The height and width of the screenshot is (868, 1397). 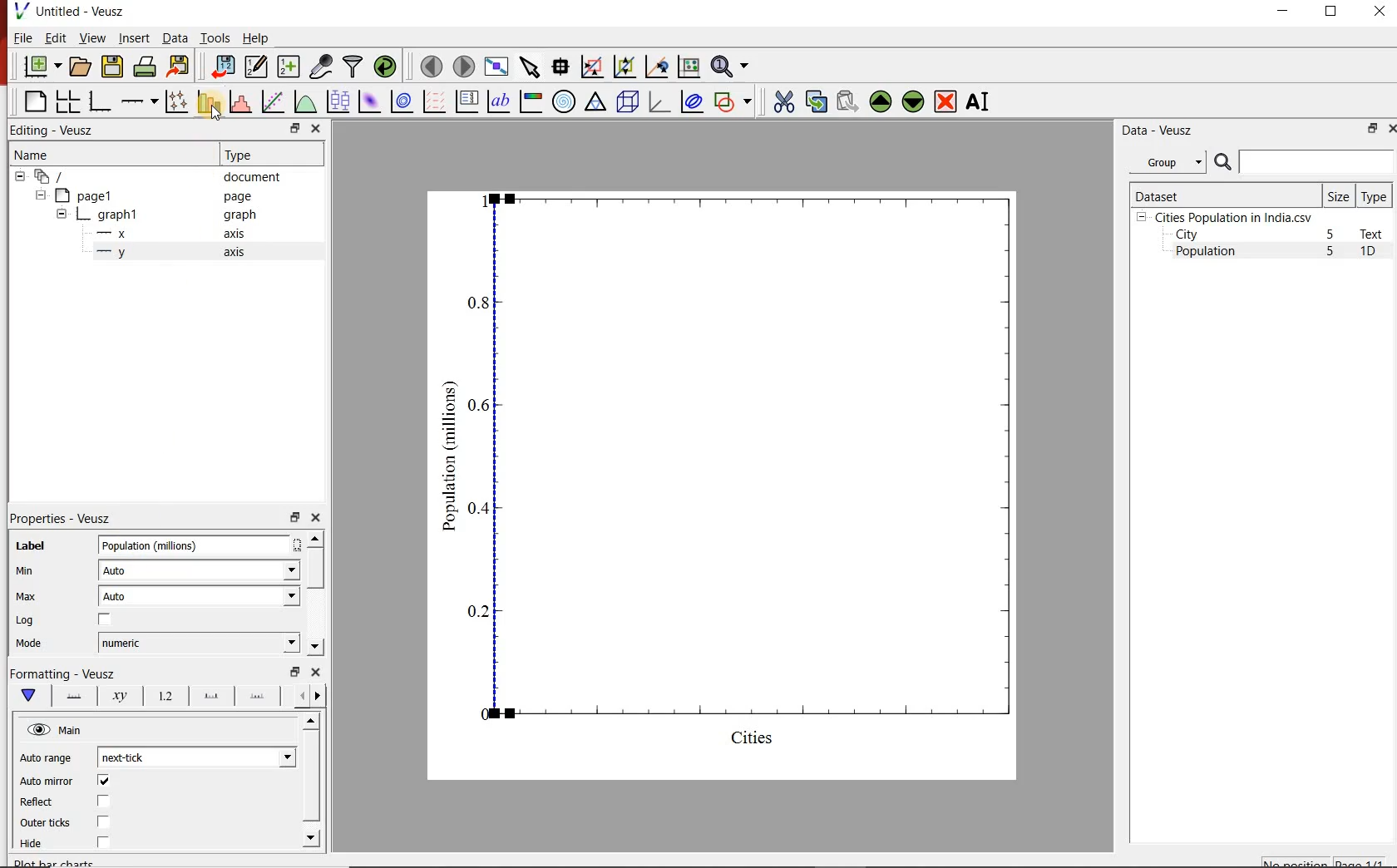 I want to click on Main formatting, so click(x=32, y=696).